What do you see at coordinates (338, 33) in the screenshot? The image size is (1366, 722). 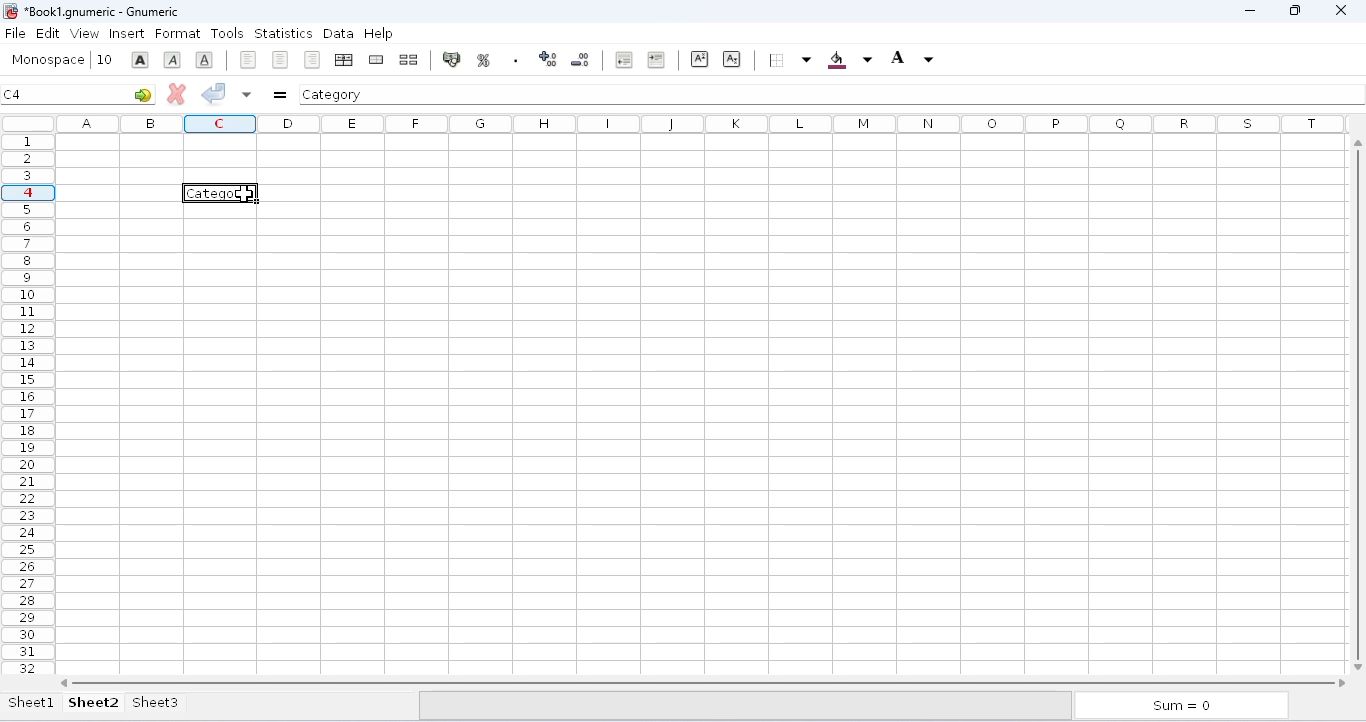 I see `data` at bounding box center [338, 33].